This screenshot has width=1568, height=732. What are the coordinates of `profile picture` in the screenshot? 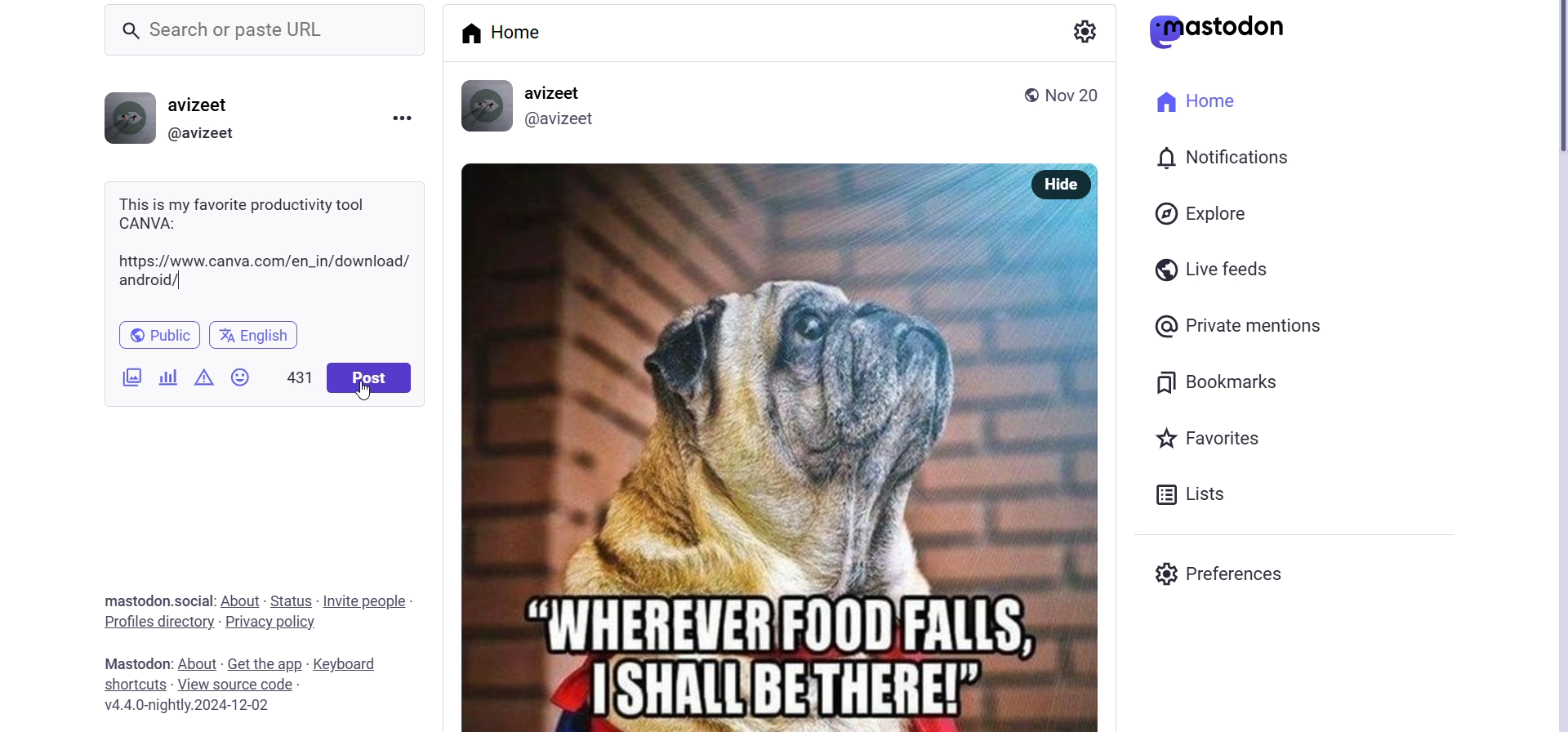 It's located at (127, 118).